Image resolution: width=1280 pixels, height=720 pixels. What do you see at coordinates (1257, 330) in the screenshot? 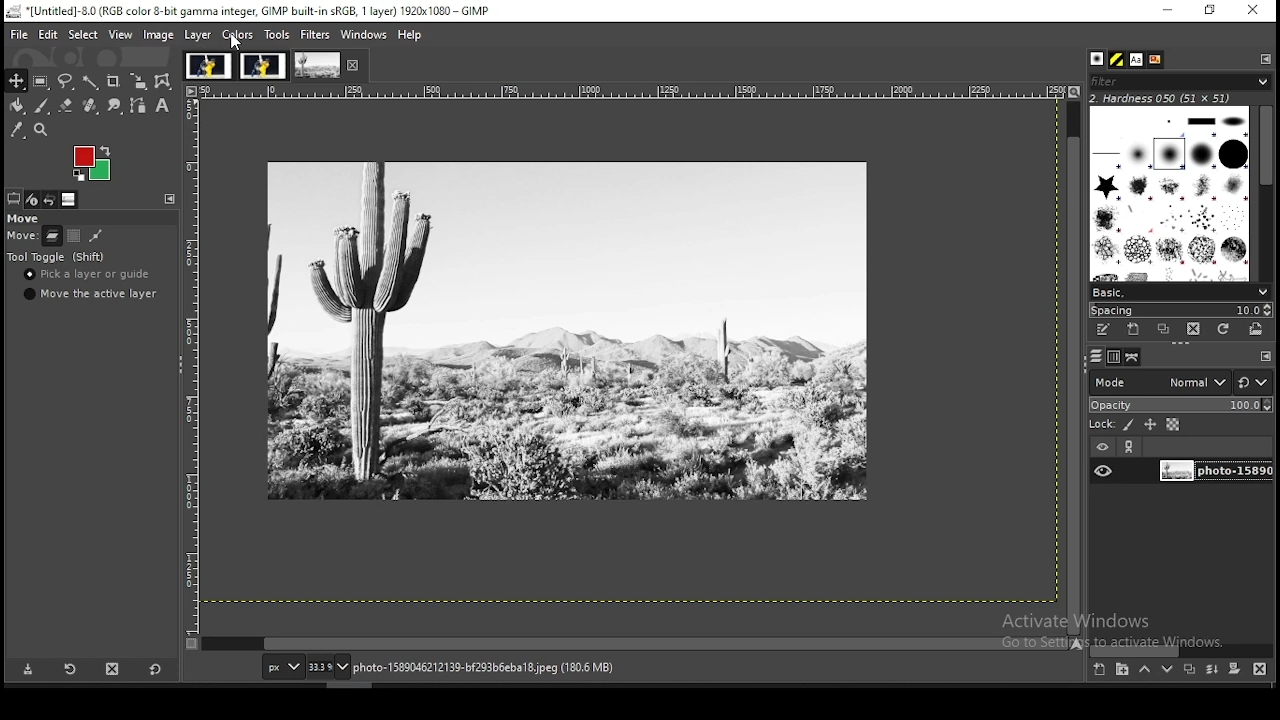
I see `open brush as image` at bounding box center [1257, 330].